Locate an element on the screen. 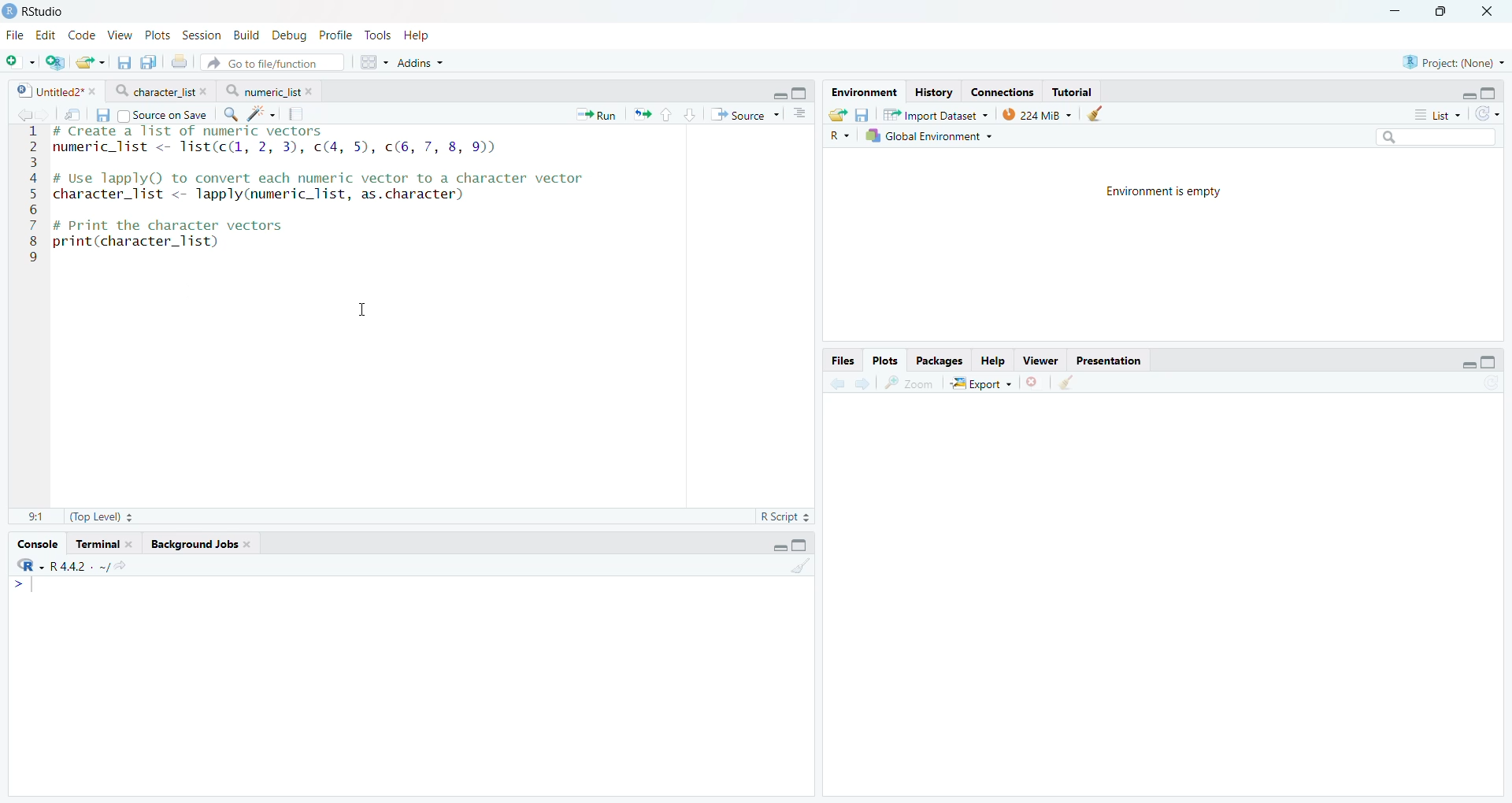 The image size is (1512, 803). Code tools is located at coordinates (261, 114).